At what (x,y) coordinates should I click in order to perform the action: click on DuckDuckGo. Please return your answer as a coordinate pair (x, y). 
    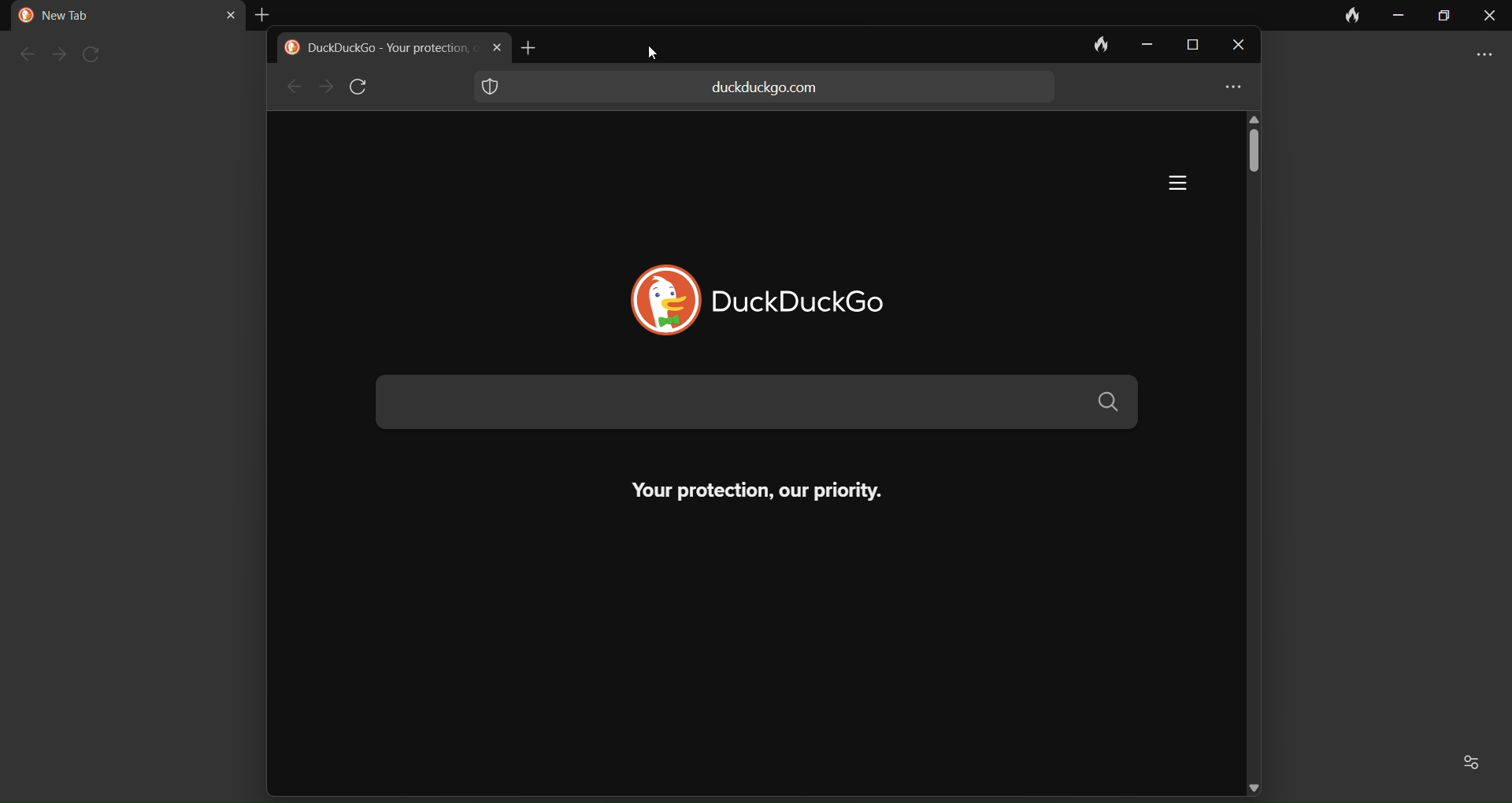
    Looking at the image, I should click on (806, 300).